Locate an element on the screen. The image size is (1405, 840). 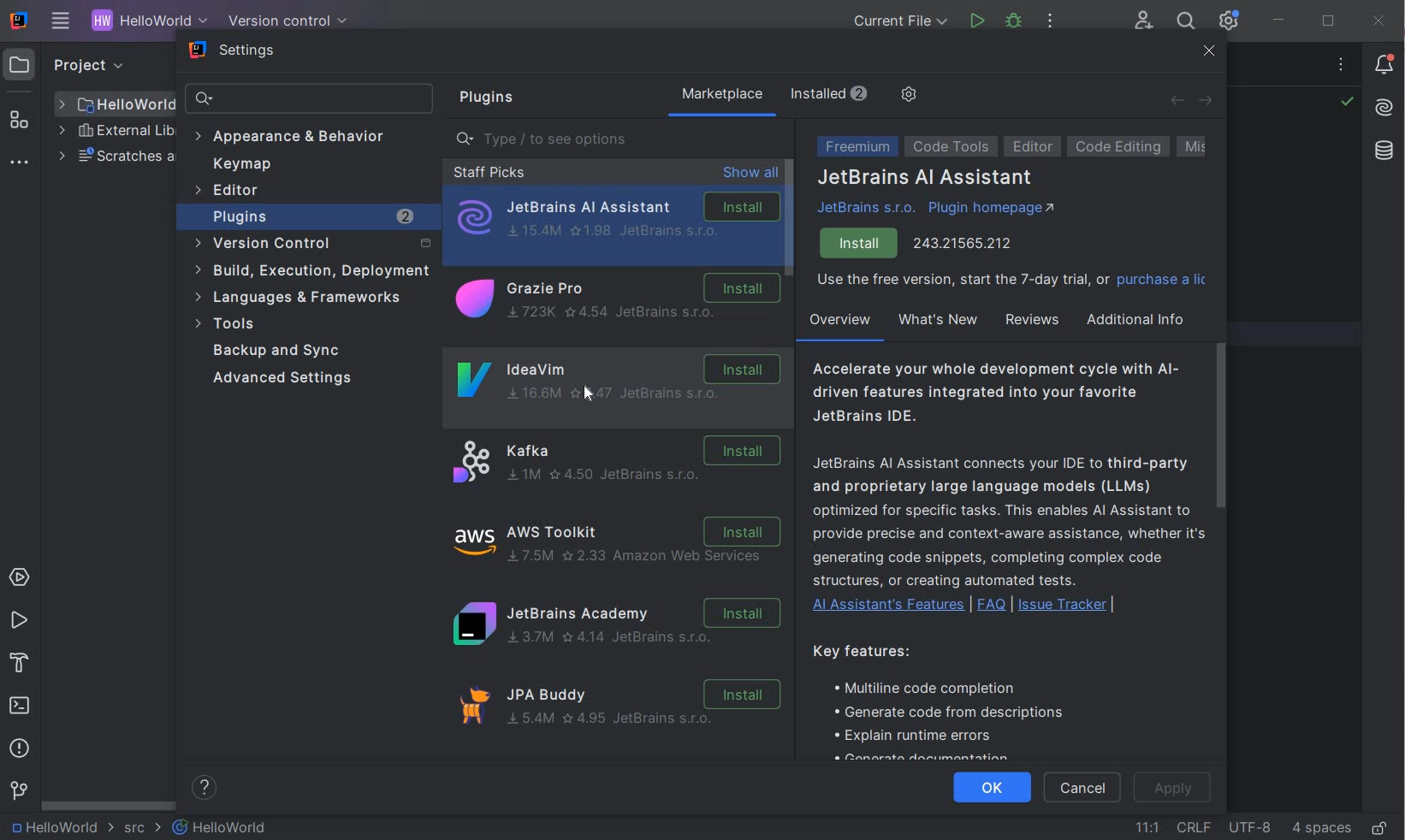
SCROLLBAR is located at coordinates (104, 805).